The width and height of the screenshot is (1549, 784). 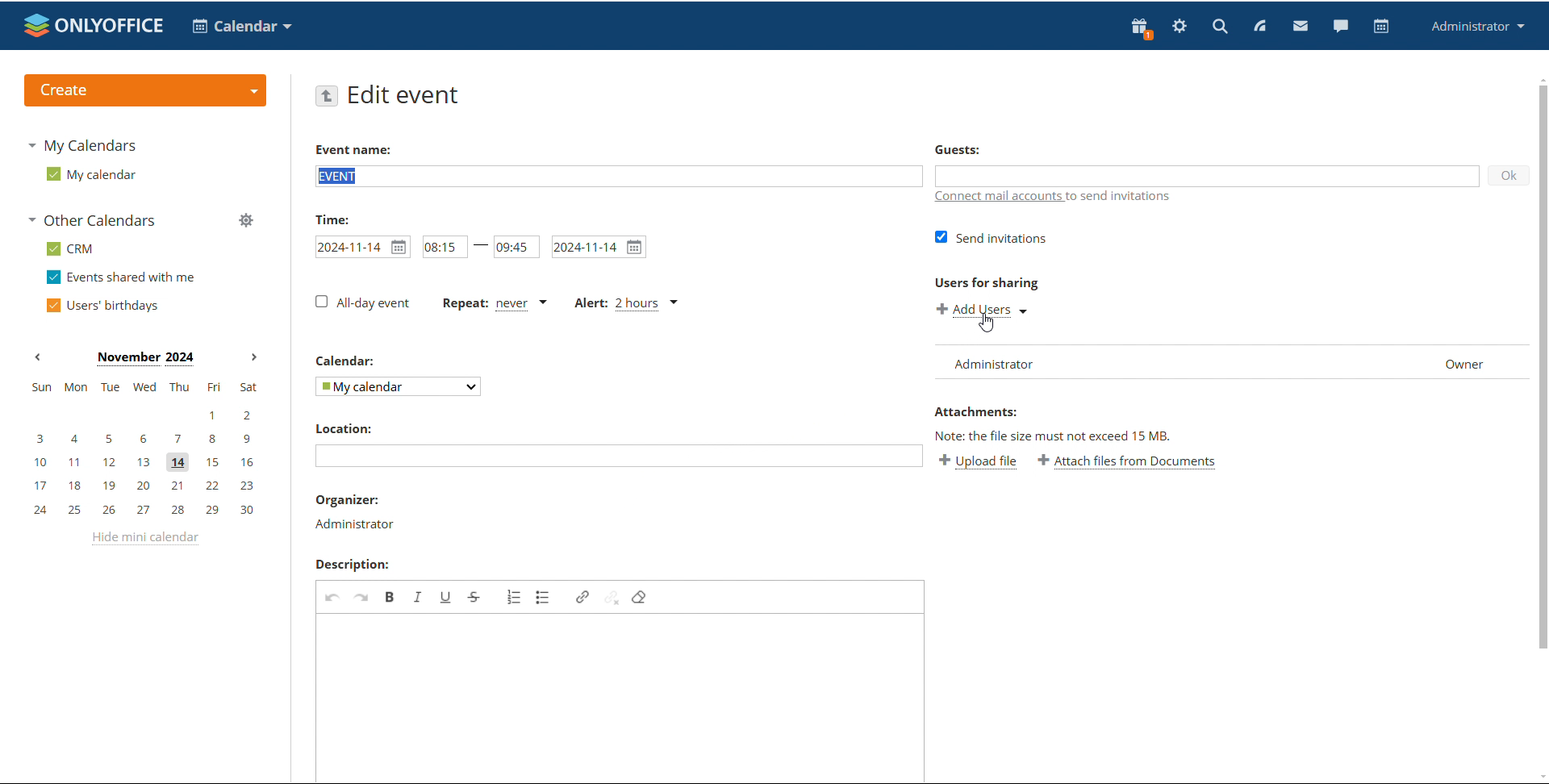 What do you see at coordinates (142, 440) in the screenshot?
I see `3, 4, 5, 6, 7, 8, 9` at bounding box center [142, 440].